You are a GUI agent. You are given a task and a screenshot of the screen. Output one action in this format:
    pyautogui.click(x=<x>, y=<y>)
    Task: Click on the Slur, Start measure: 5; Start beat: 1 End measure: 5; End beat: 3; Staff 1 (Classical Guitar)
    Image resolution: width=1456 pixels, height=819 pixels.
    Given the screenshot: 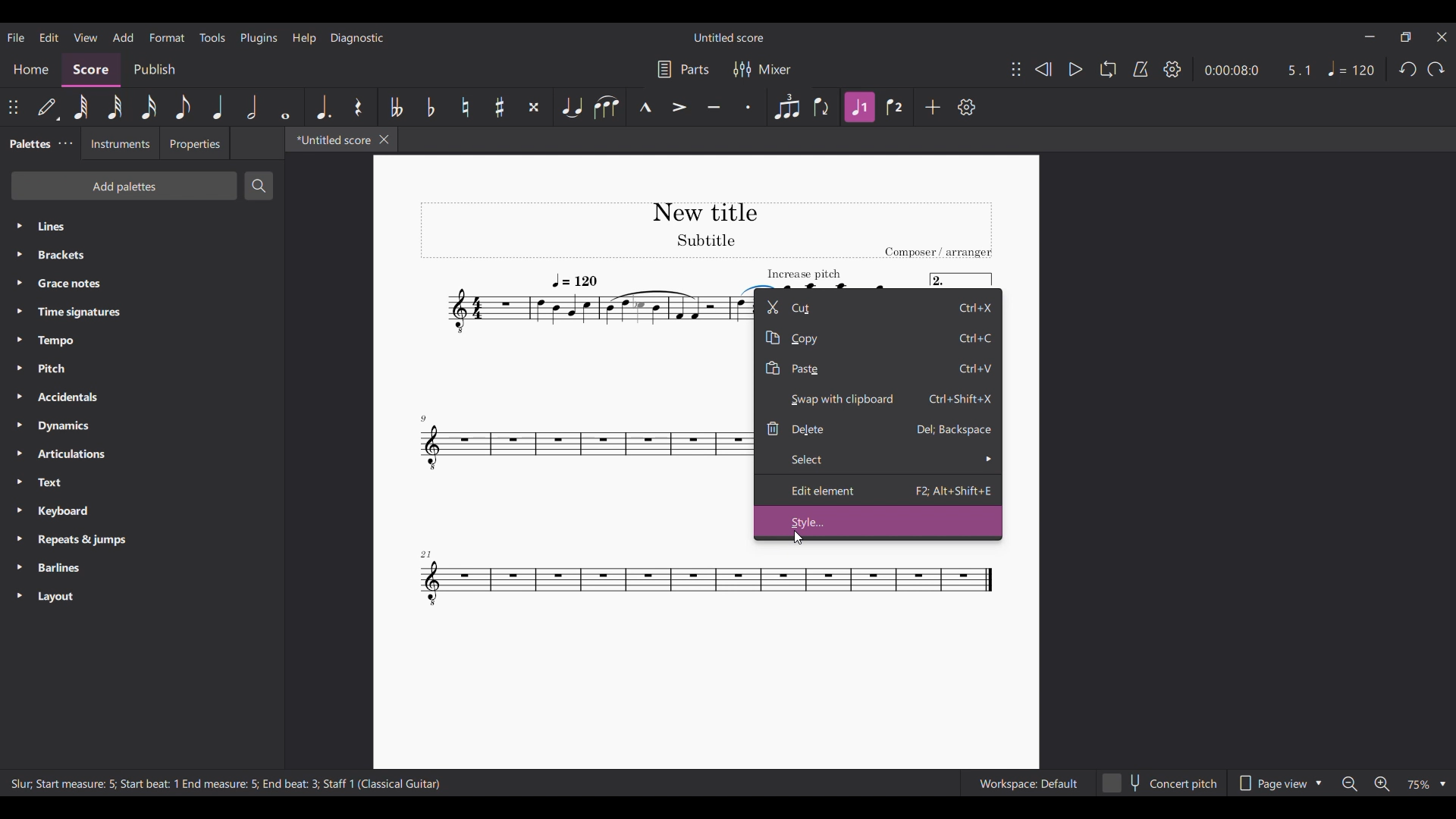 What is the action you would take?
    pyautogui.click(x=226, y=783)
    